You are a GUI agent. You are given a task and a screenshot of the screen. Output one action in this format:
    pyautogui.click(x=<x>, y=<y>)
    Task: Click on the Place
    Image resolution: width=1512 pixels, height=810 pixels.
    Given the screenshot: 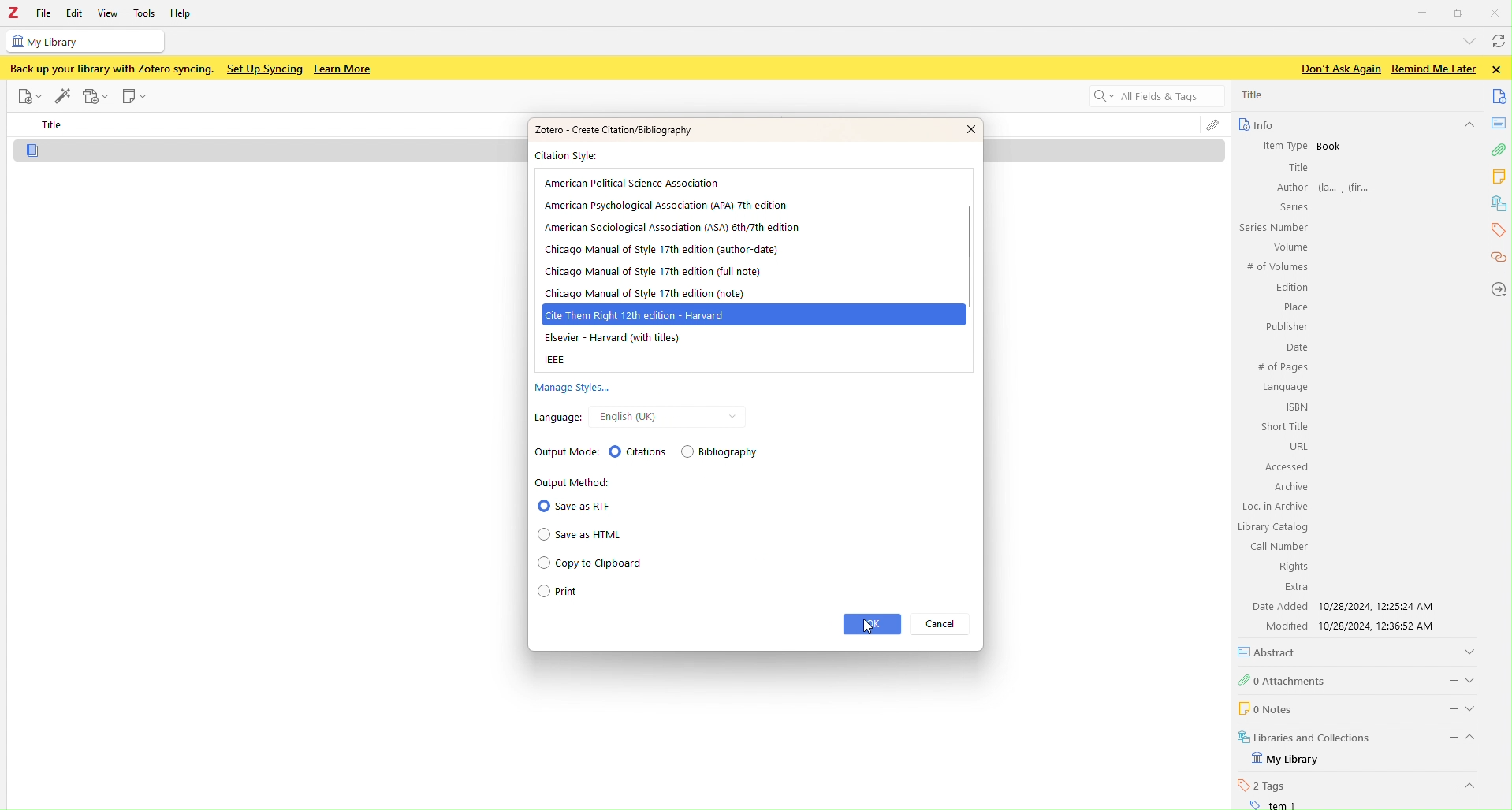 What is the action you would take?
    pyautogui.click(x=1294, y=307)
    